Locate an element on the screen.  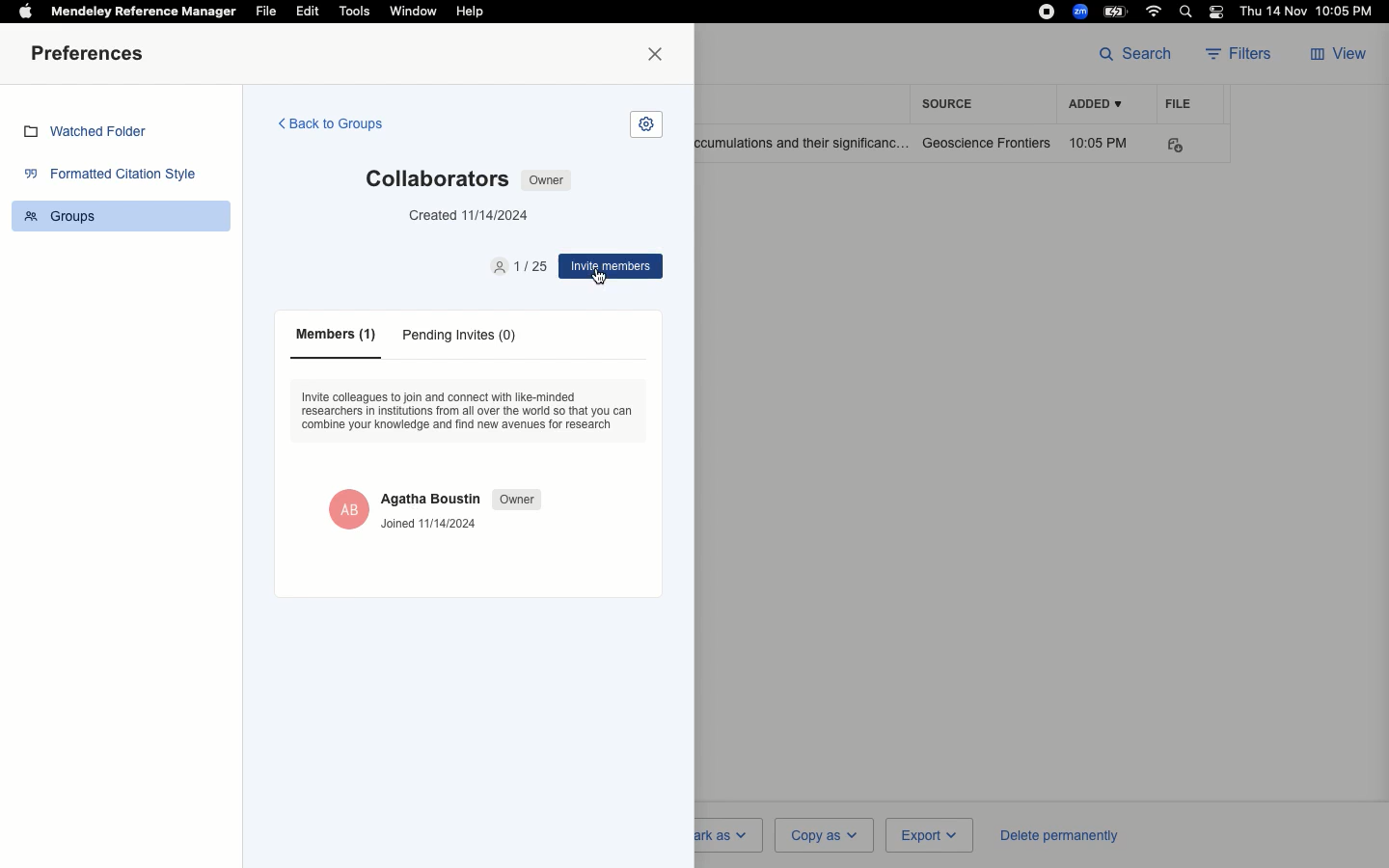
Settings gear is located at coordinates (646, 124).